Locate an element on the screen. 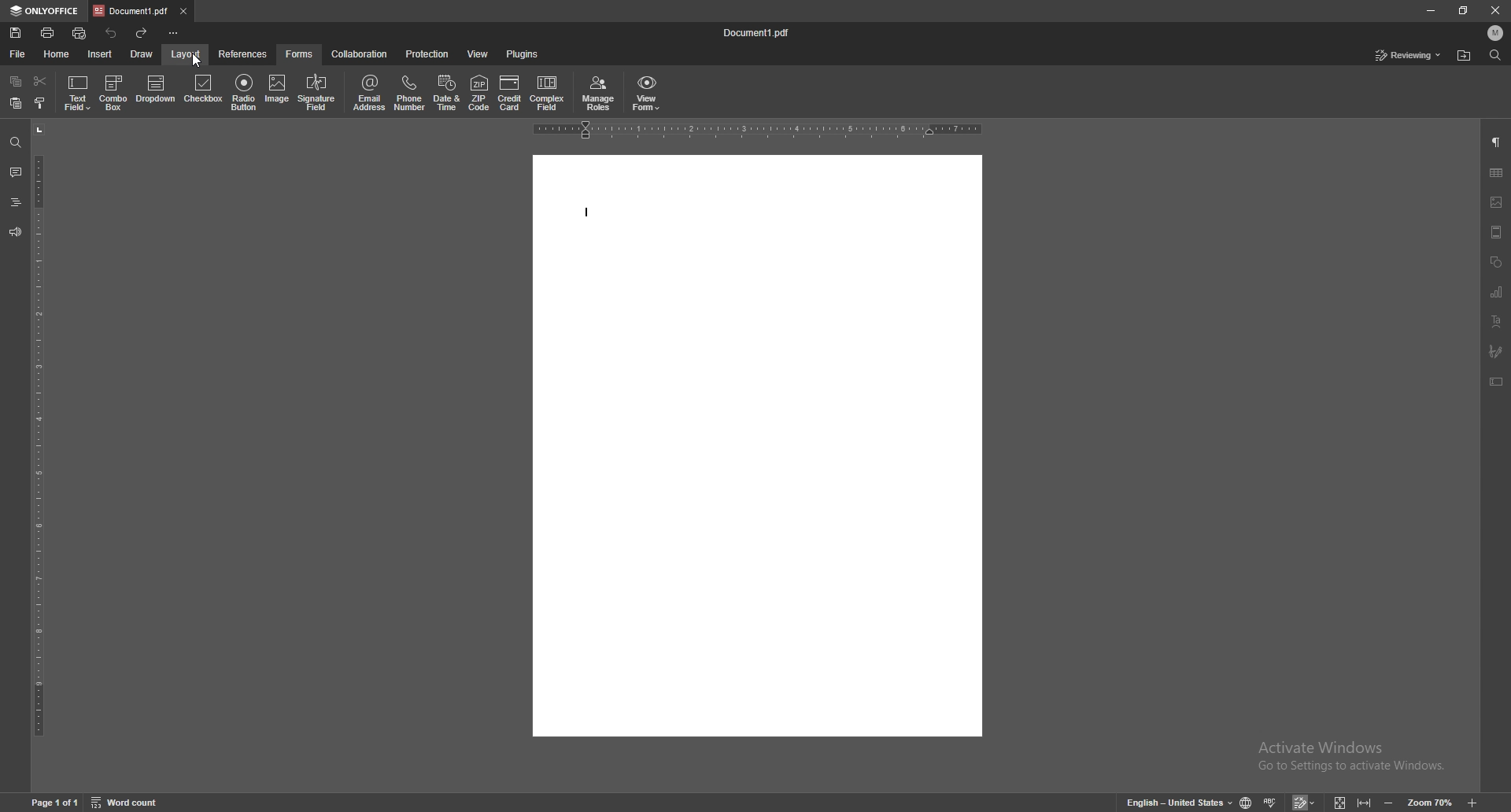  dropdown is located at coordinates (157, 90).